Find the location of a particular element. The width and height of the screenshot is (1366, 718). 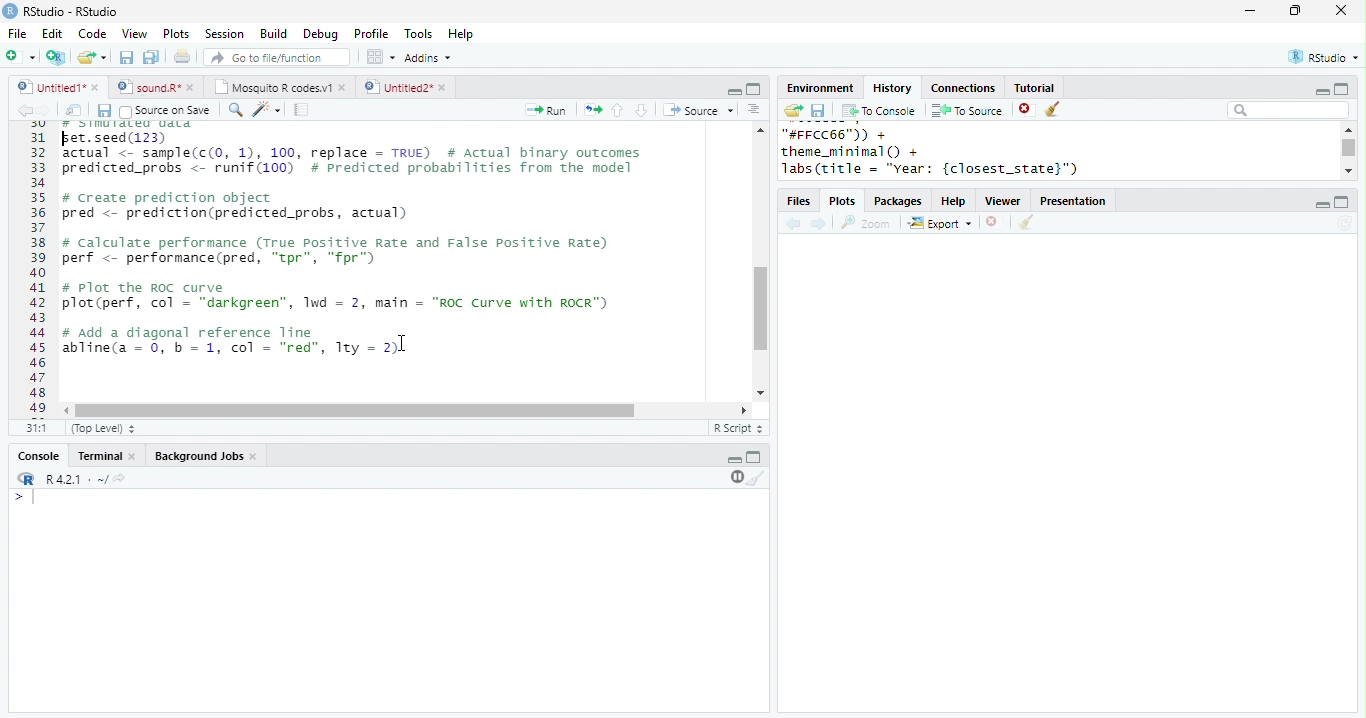

files is located at coordinates (800, 202).